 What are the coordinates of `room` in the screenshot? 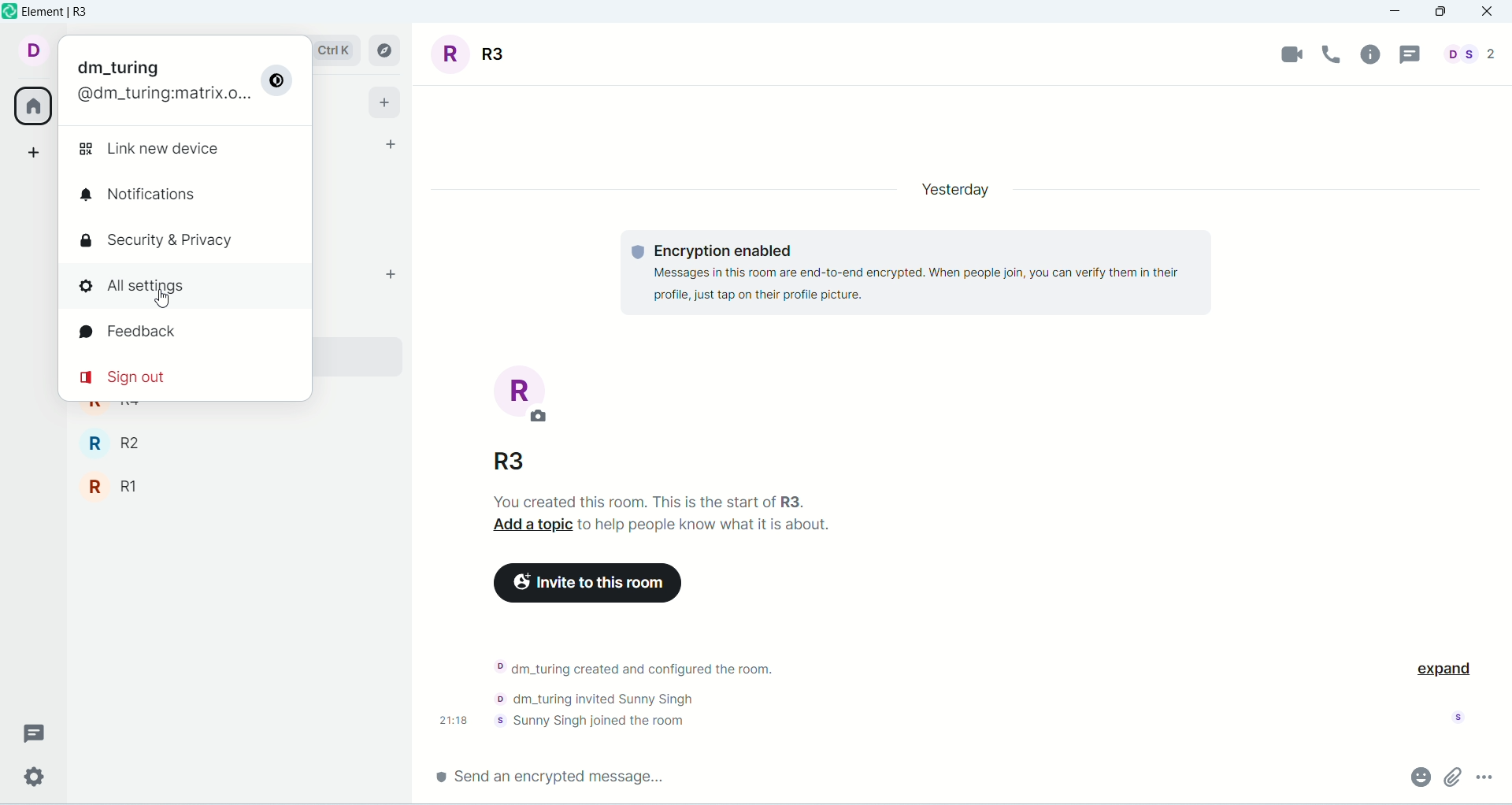 It's located at (476, 54).